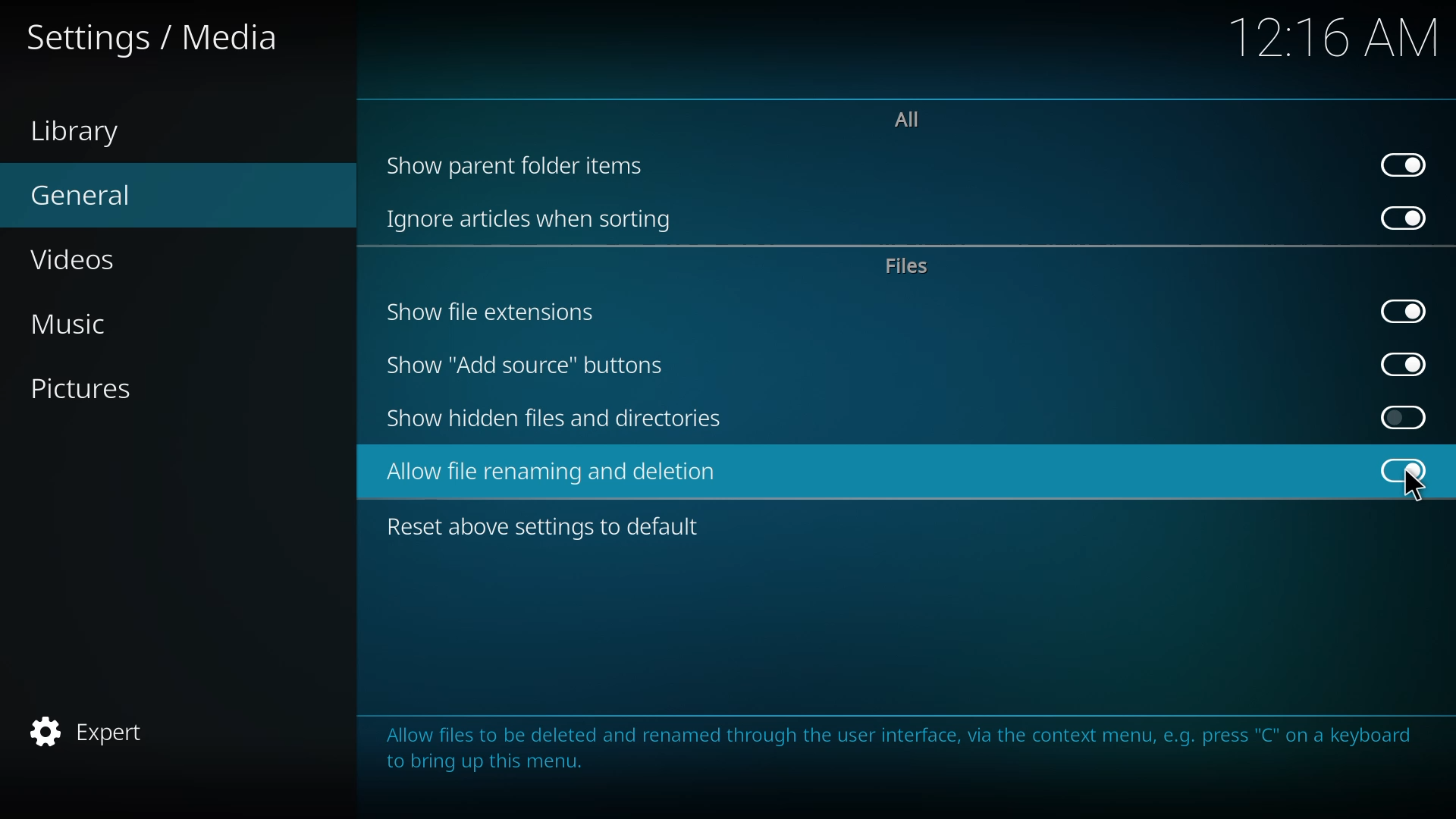 The image size is (1456, 819). I want to click on enabled, so click(1408, 218).